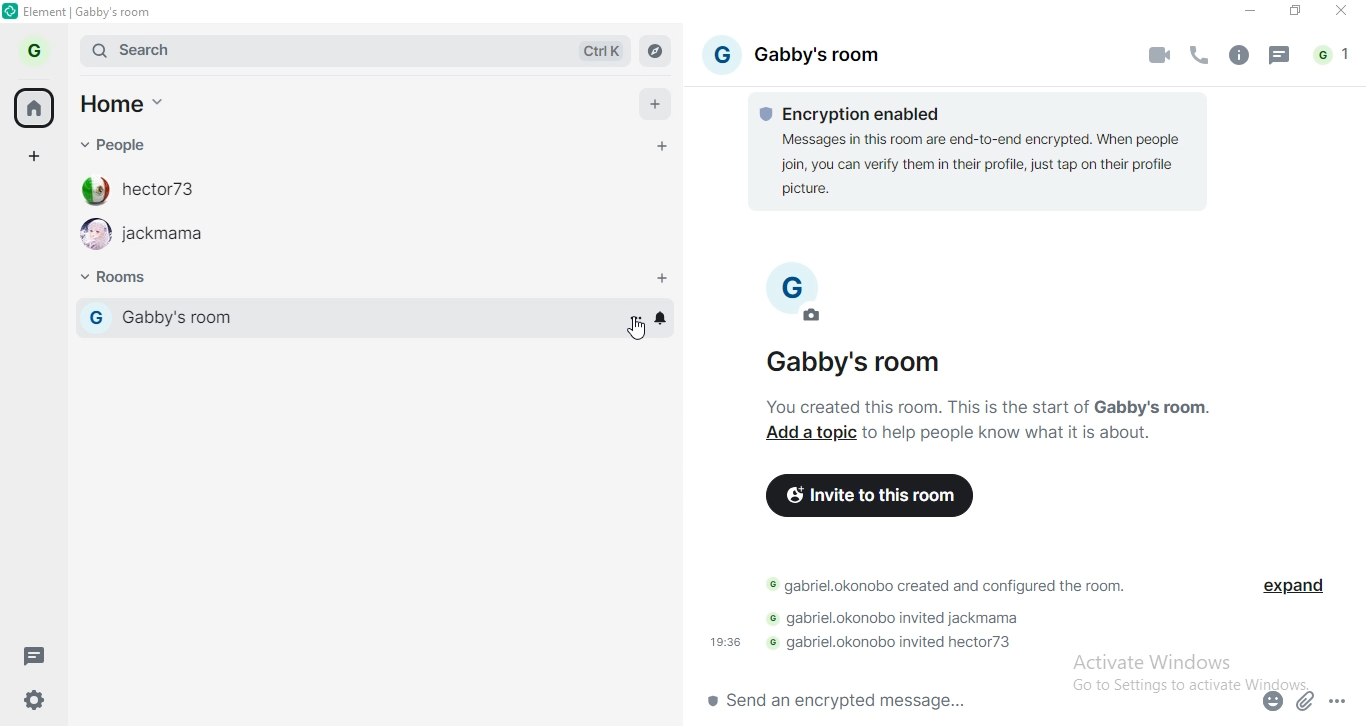 The height and width of the screenshot is (726, 1366). What do you see at coordinates (724, 56) in the screenshot?
I see `profile` at bounding box center [724, 56].